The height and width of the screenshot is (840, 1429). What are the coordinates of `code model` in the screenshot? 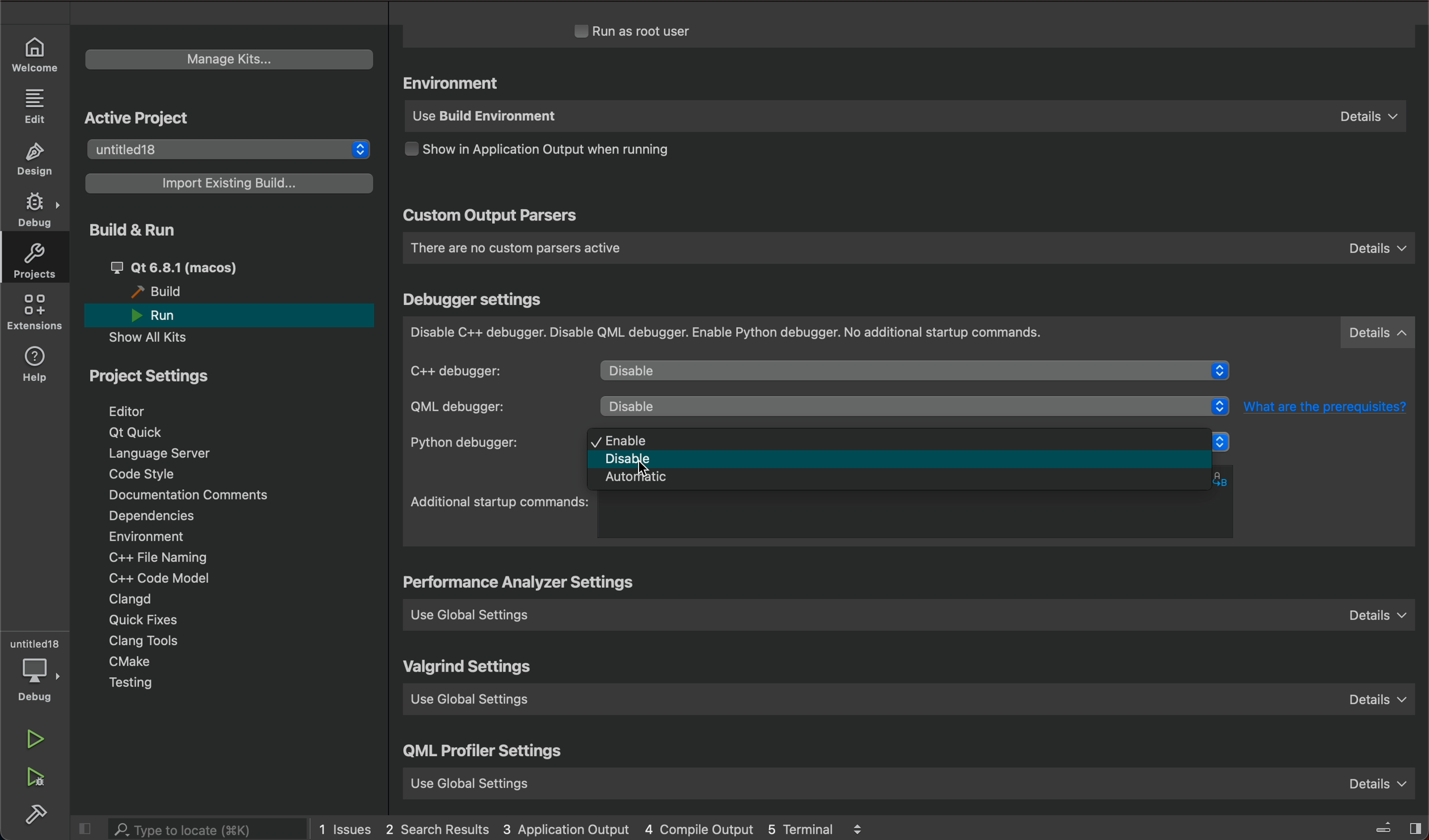 It's located at (153, 578).